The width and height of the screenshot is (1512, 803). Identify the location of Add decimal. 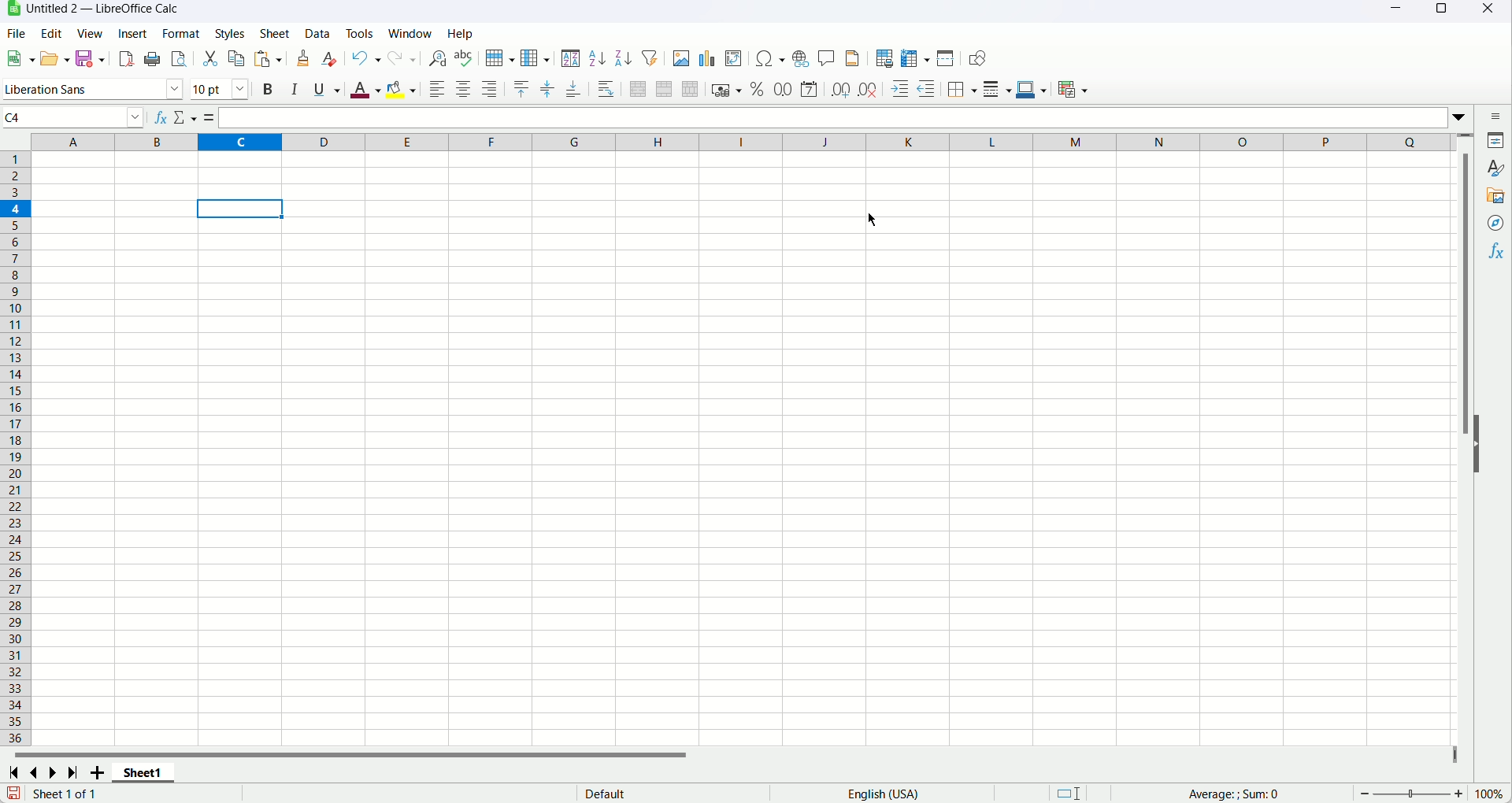
(841, 88).